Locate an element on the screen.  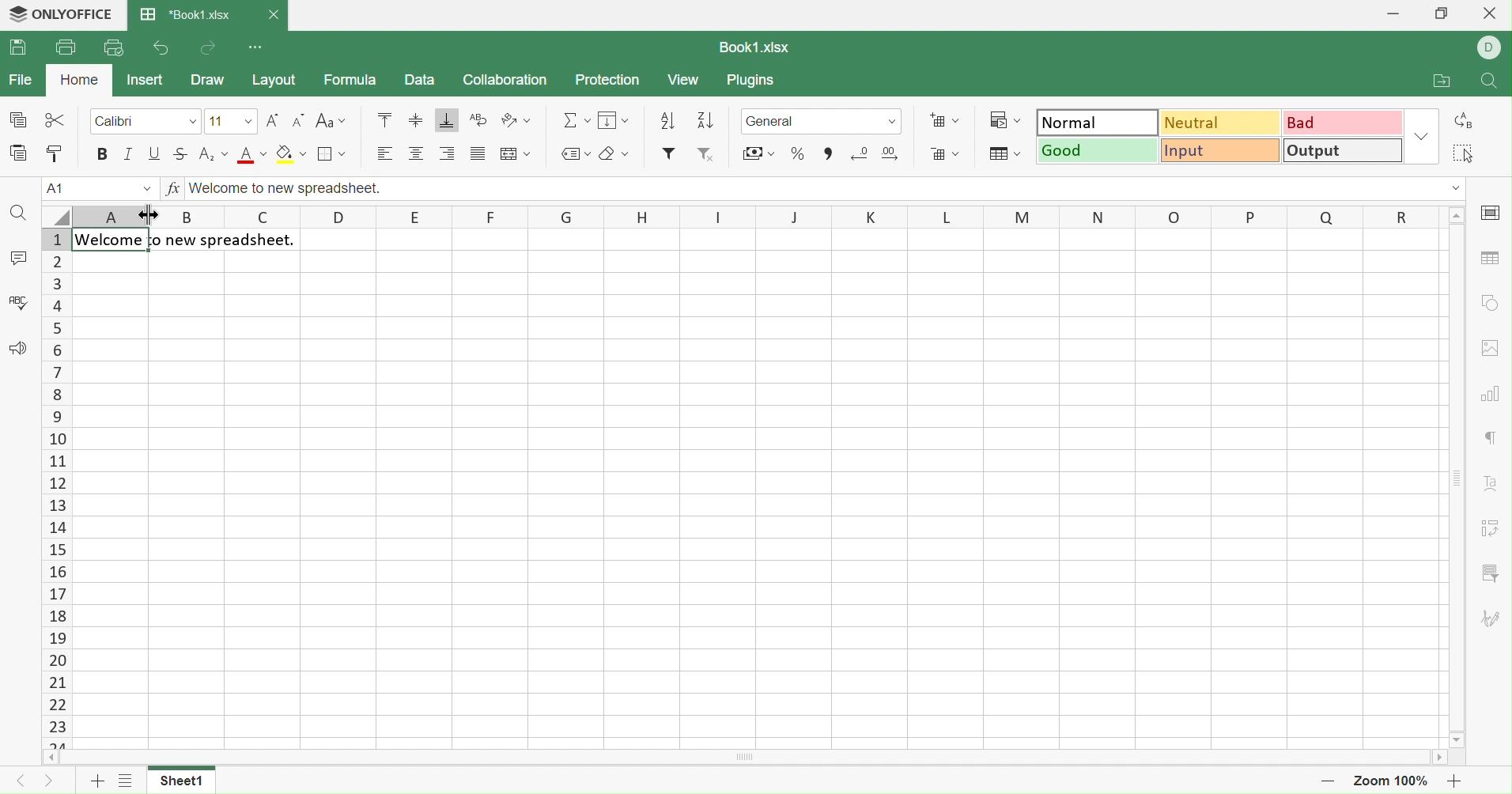
Draw is located at coordinates (209, 81).